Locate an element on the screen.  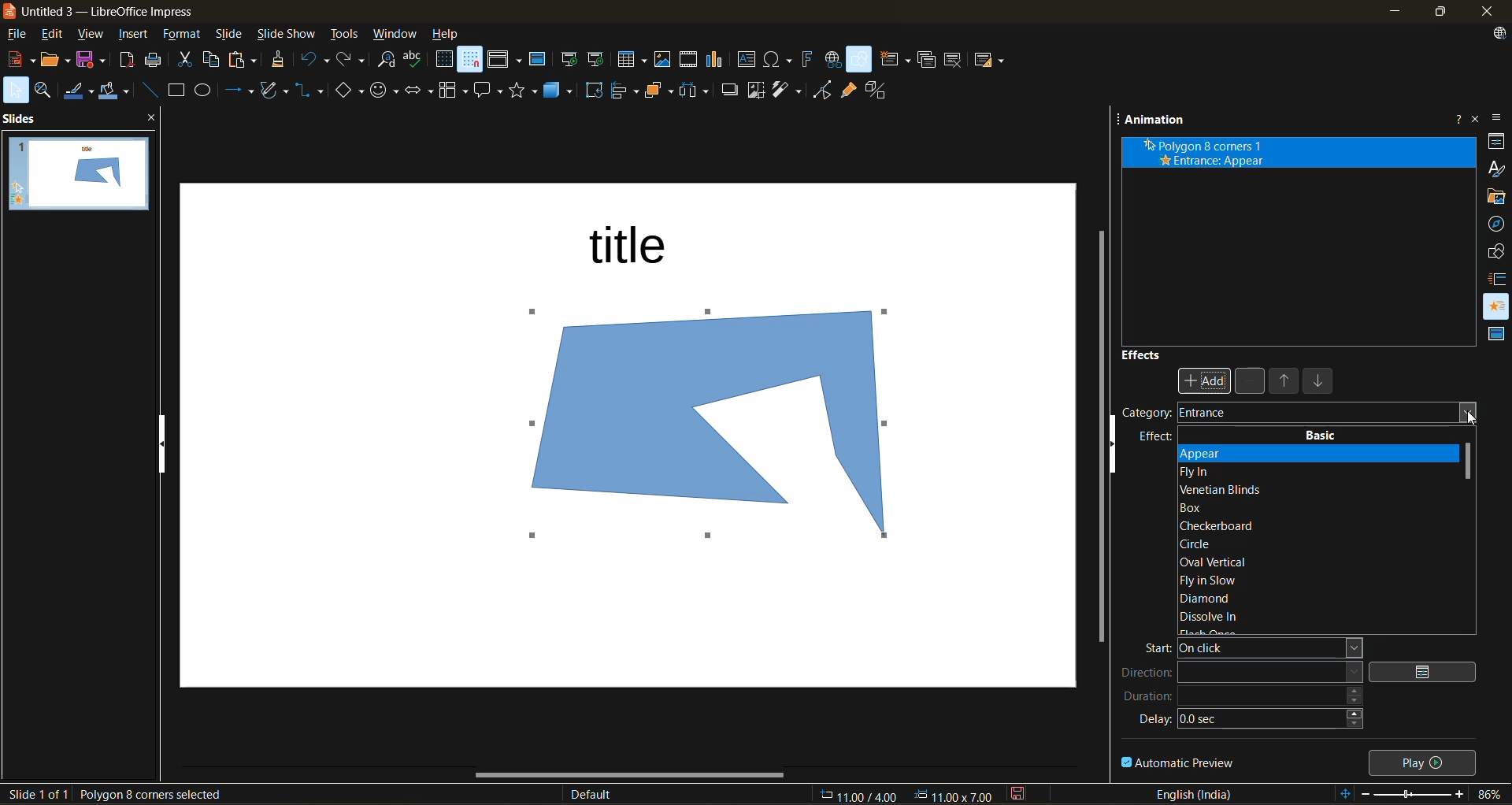
slides is located at coordinates (87, 173).